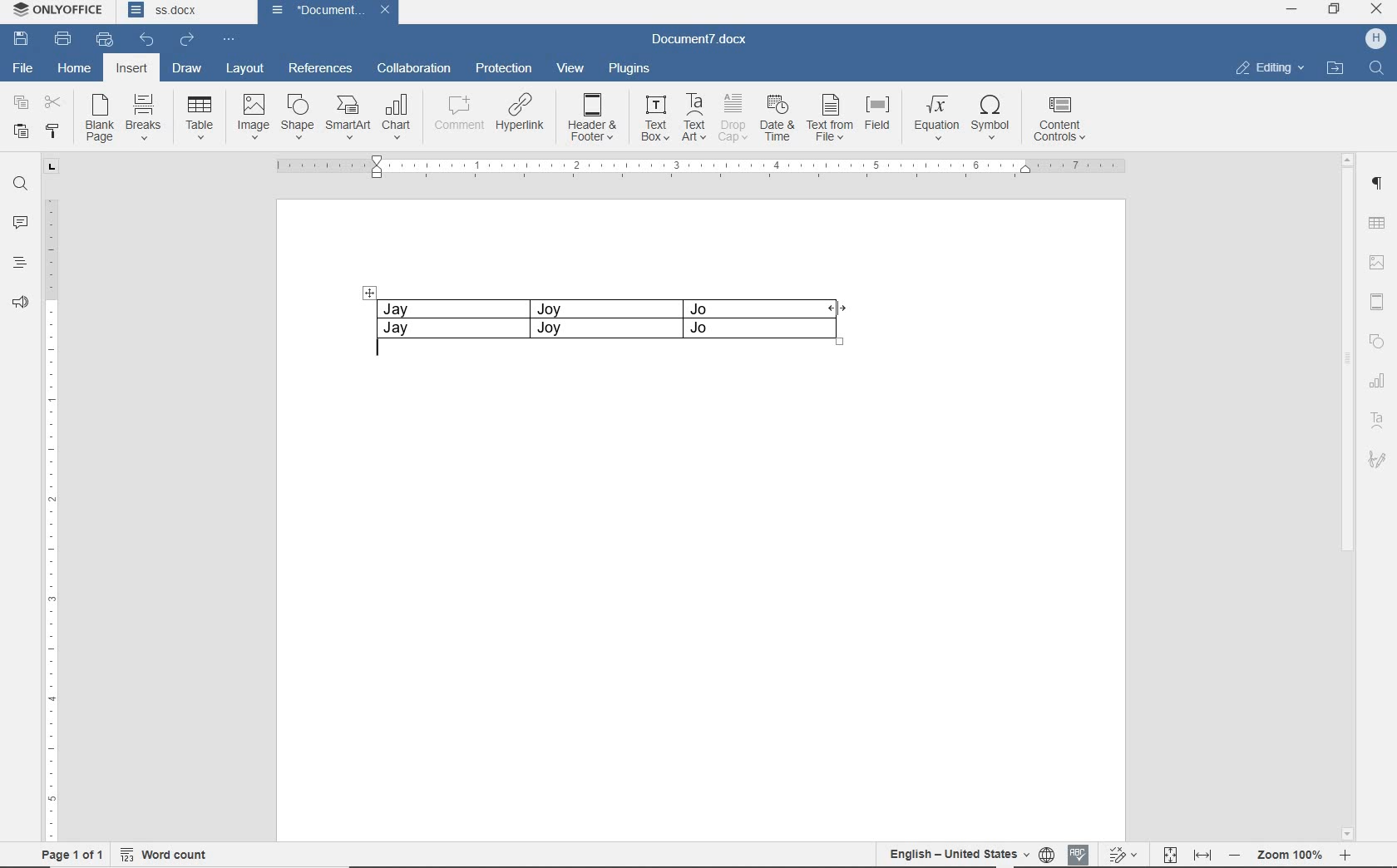  What do you see at coordinates (1376, 11) in the screenshot?
I see `CLOSE` at bounding box center [1376, 11].